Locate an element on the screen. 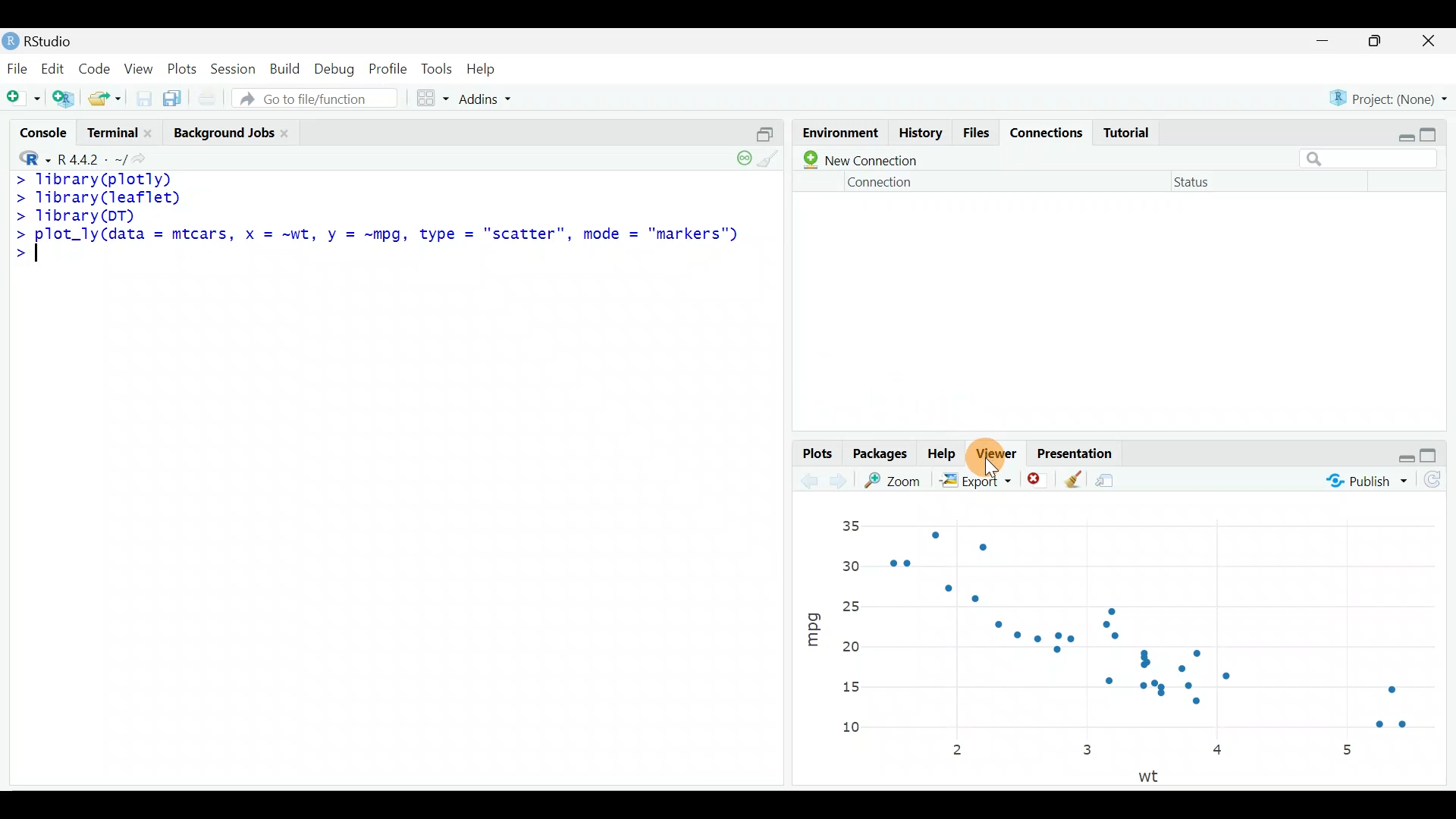 The width and height of the screenshot is (1456, 819). 30 is located at coordinates (852, 567).